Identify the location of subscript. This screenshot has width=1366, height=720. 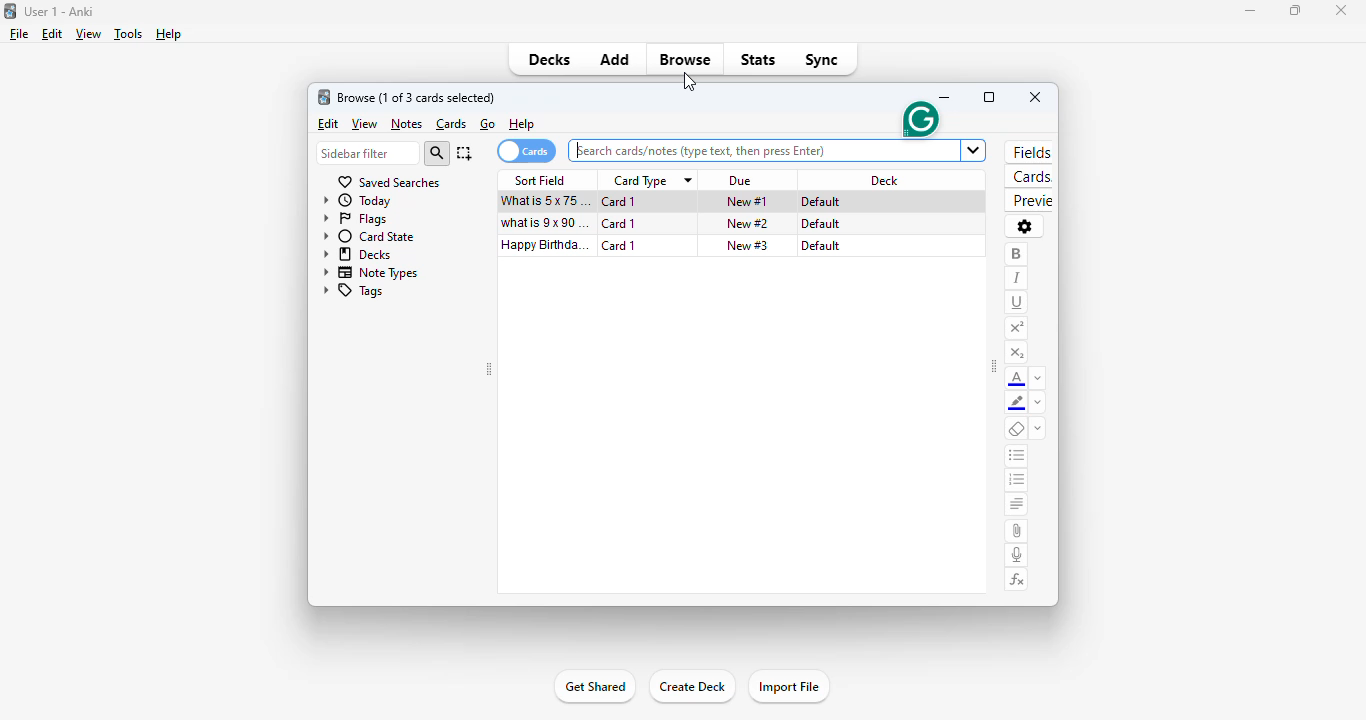
(1017, 353).